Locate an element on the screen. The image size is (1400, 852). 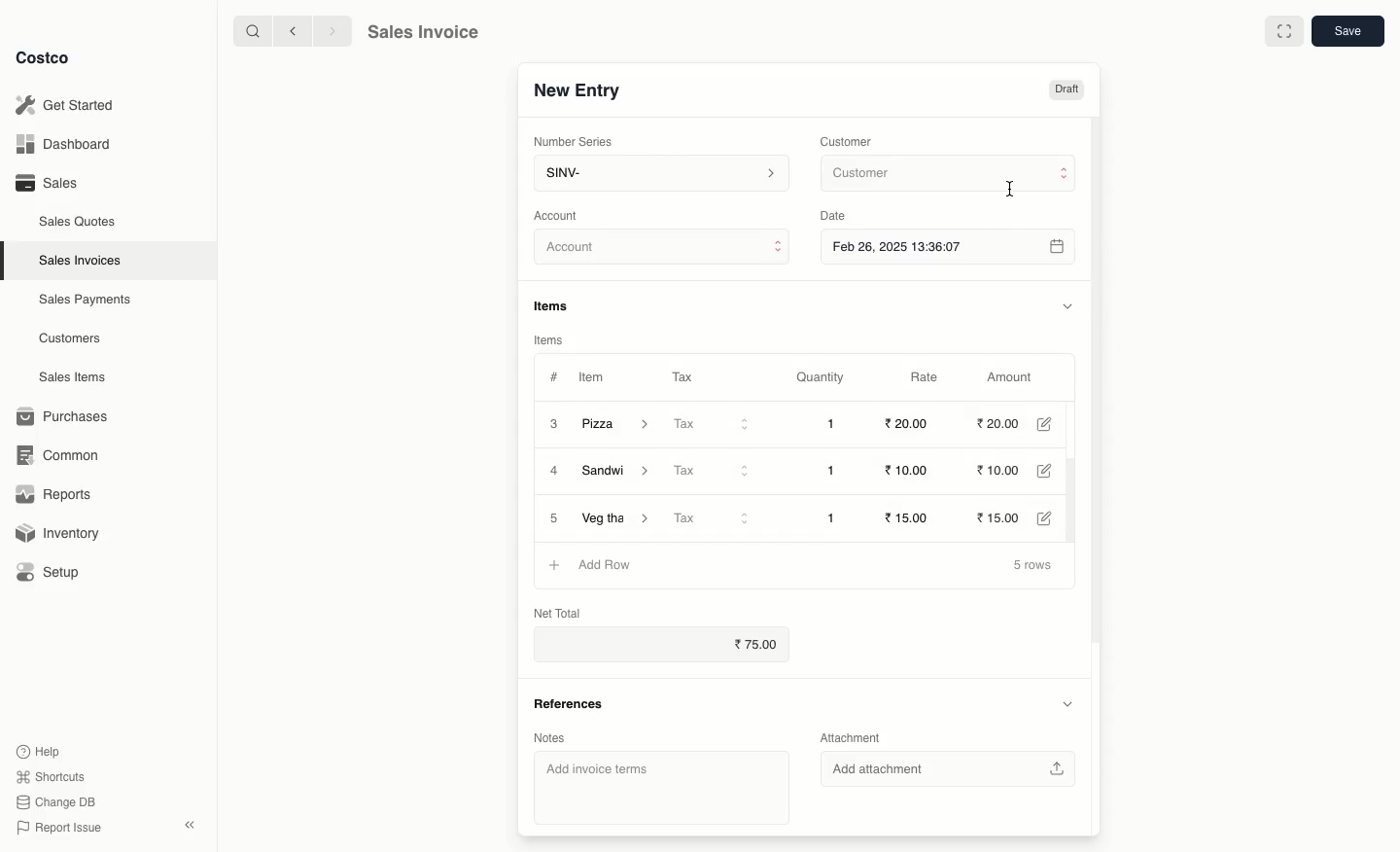
Back is located at coordinates (291, 31).